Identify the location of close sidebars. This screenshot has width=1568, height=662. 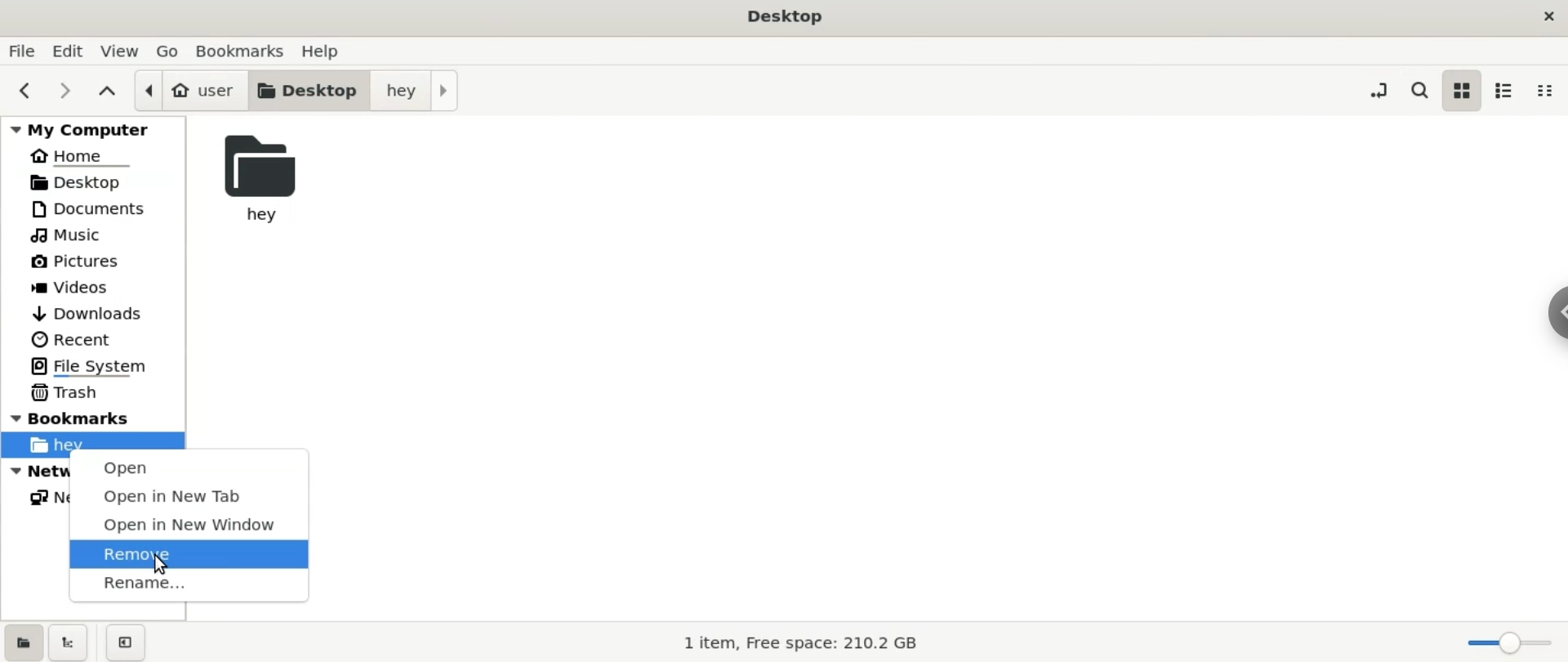
(130, 642).